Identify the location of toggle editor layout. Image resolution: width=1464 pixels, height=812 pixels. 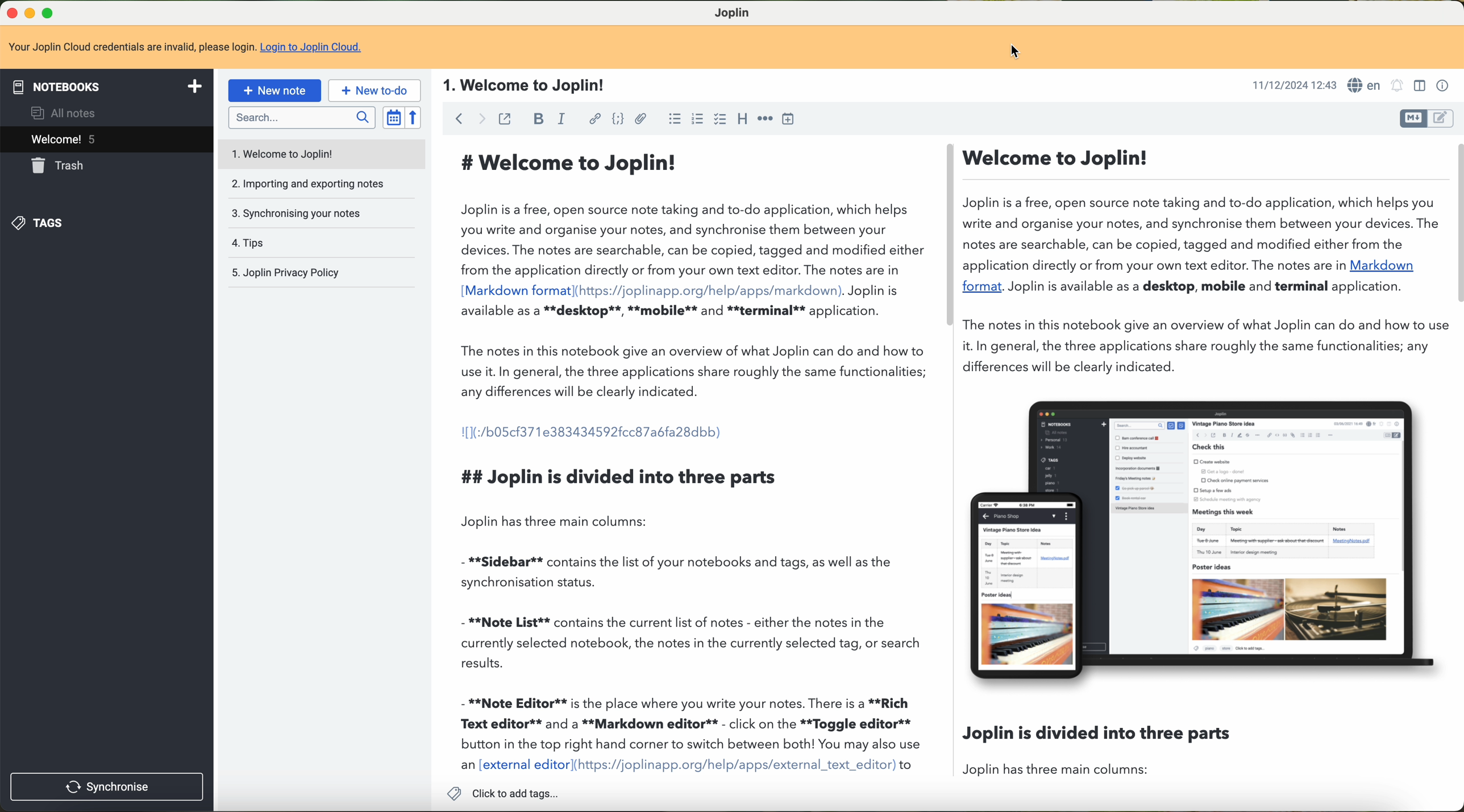
(1420, 86).